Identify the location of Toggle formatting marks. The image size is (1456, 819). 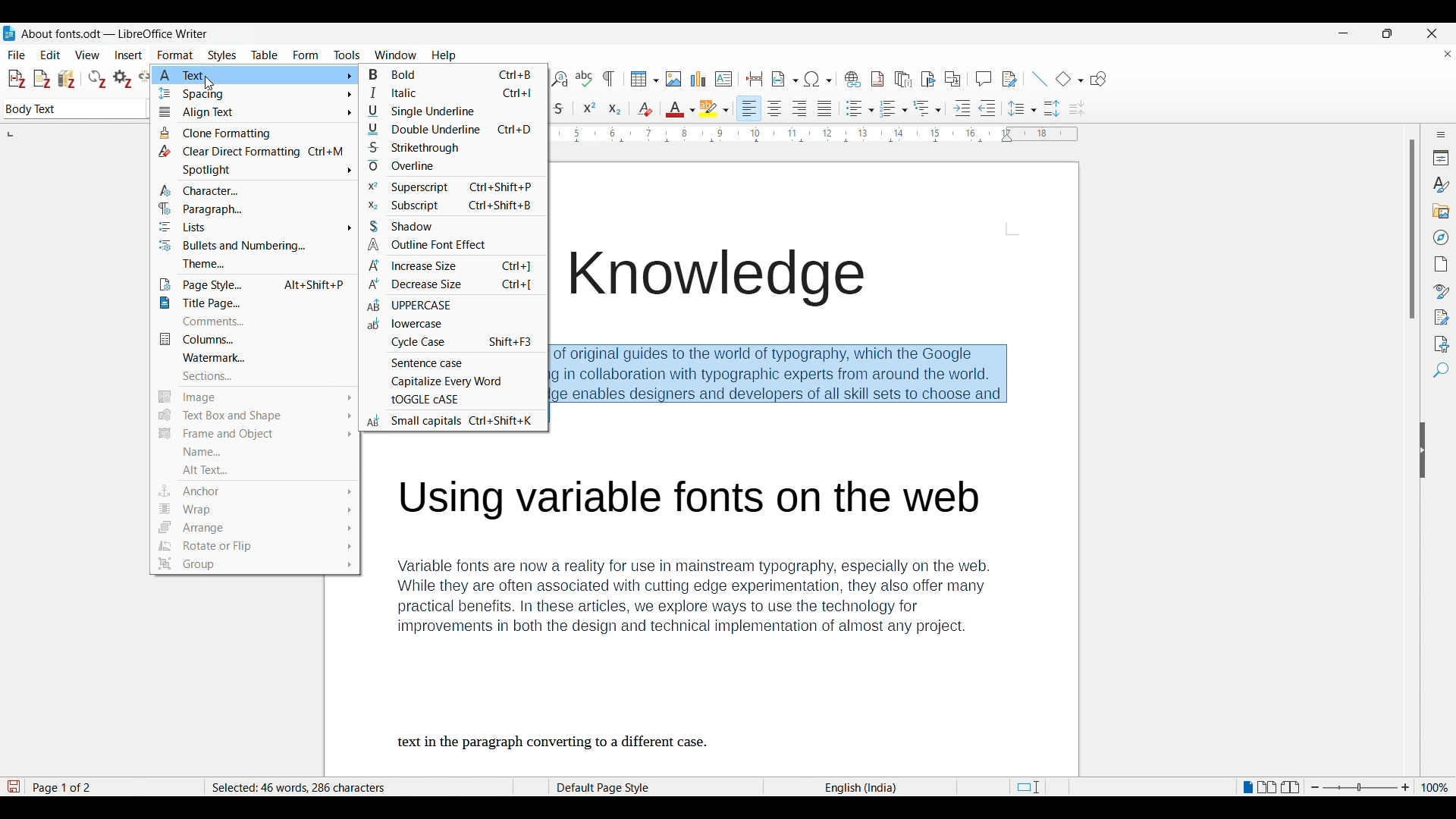
(608, 79).